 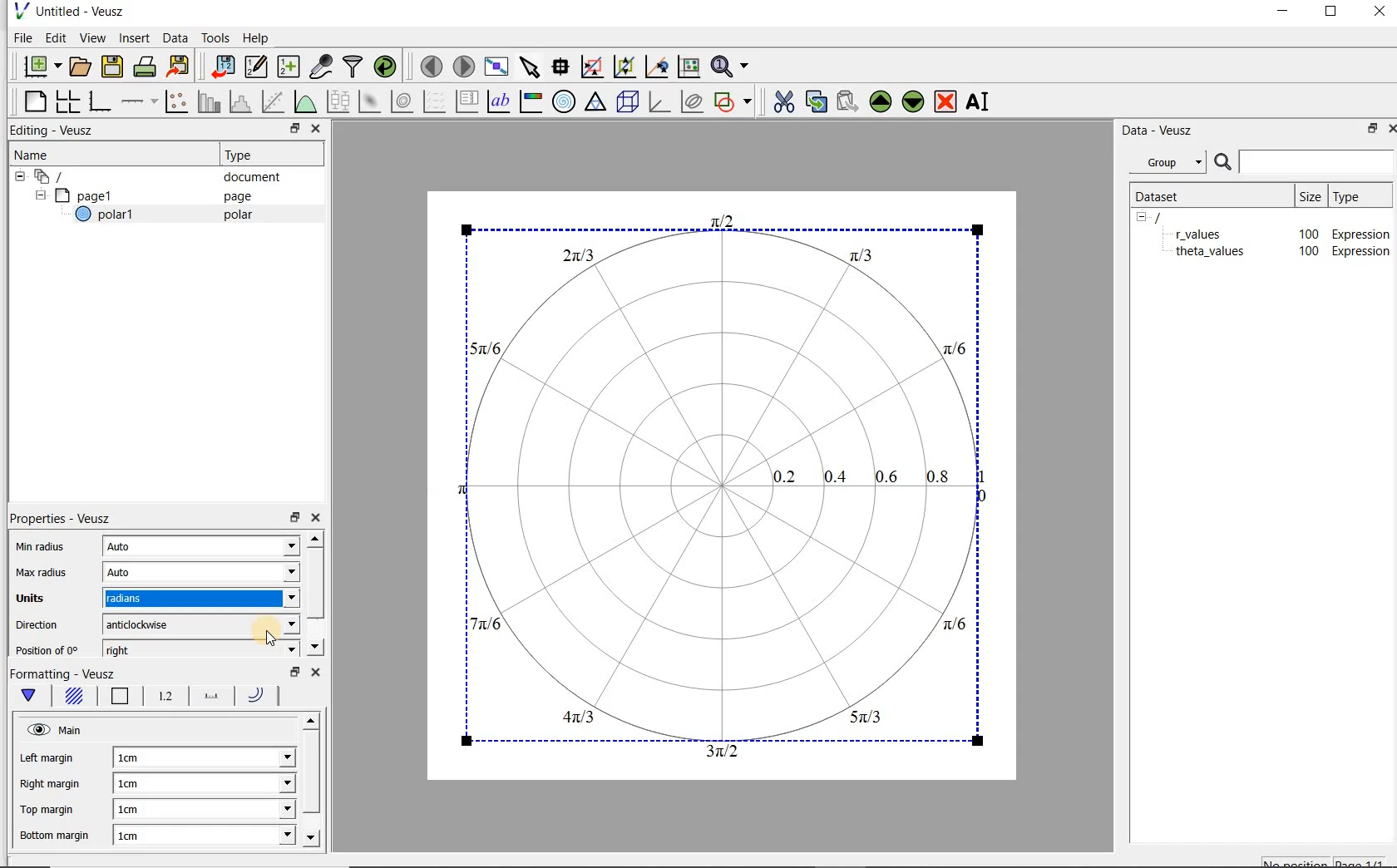 What do you see at coordinates (116, 67) in the screenshot?
I see `save the document` at bounding box center [116, 67].